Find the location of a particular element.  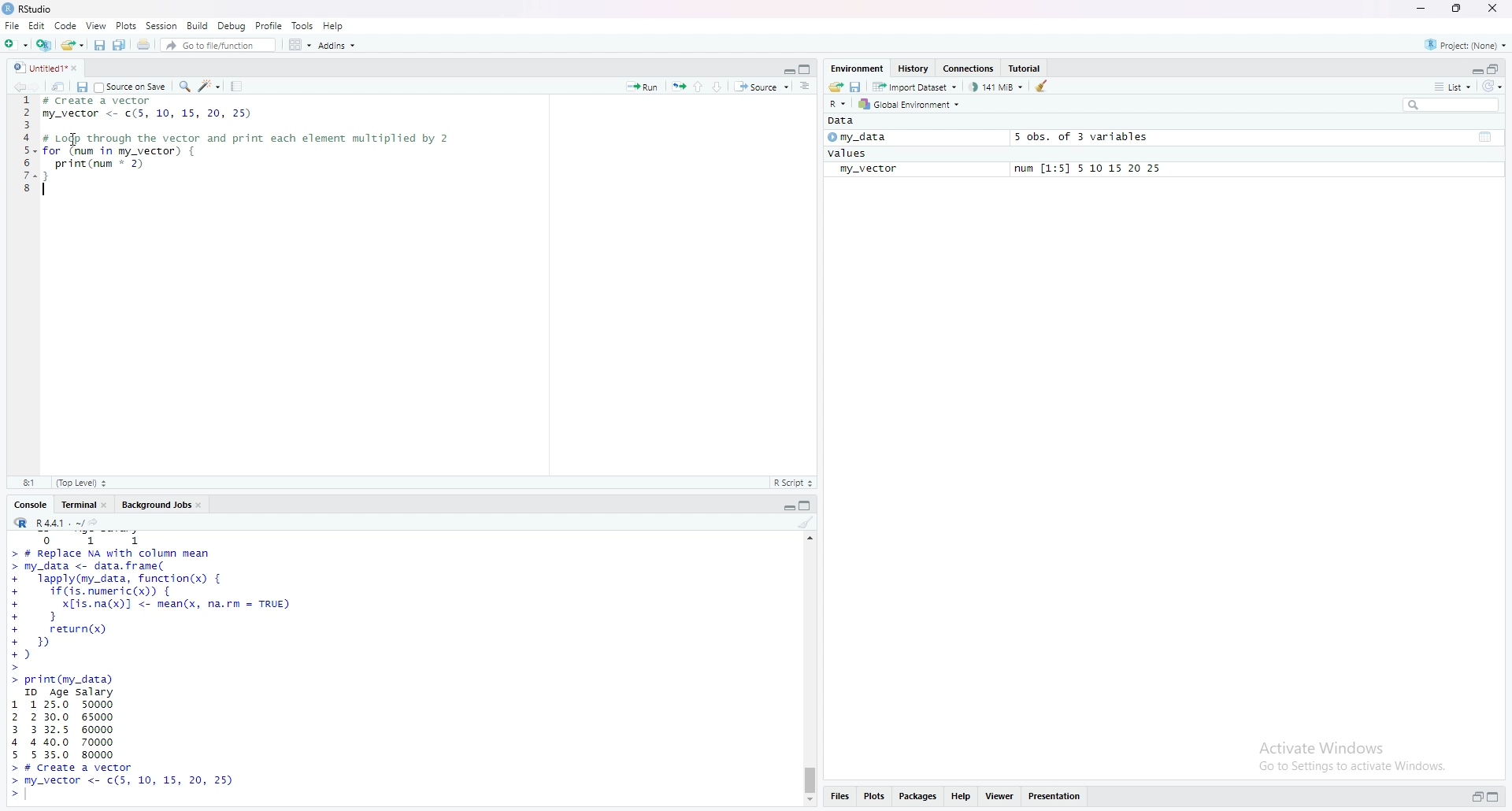

cursor is located at coordinates (72, 139).